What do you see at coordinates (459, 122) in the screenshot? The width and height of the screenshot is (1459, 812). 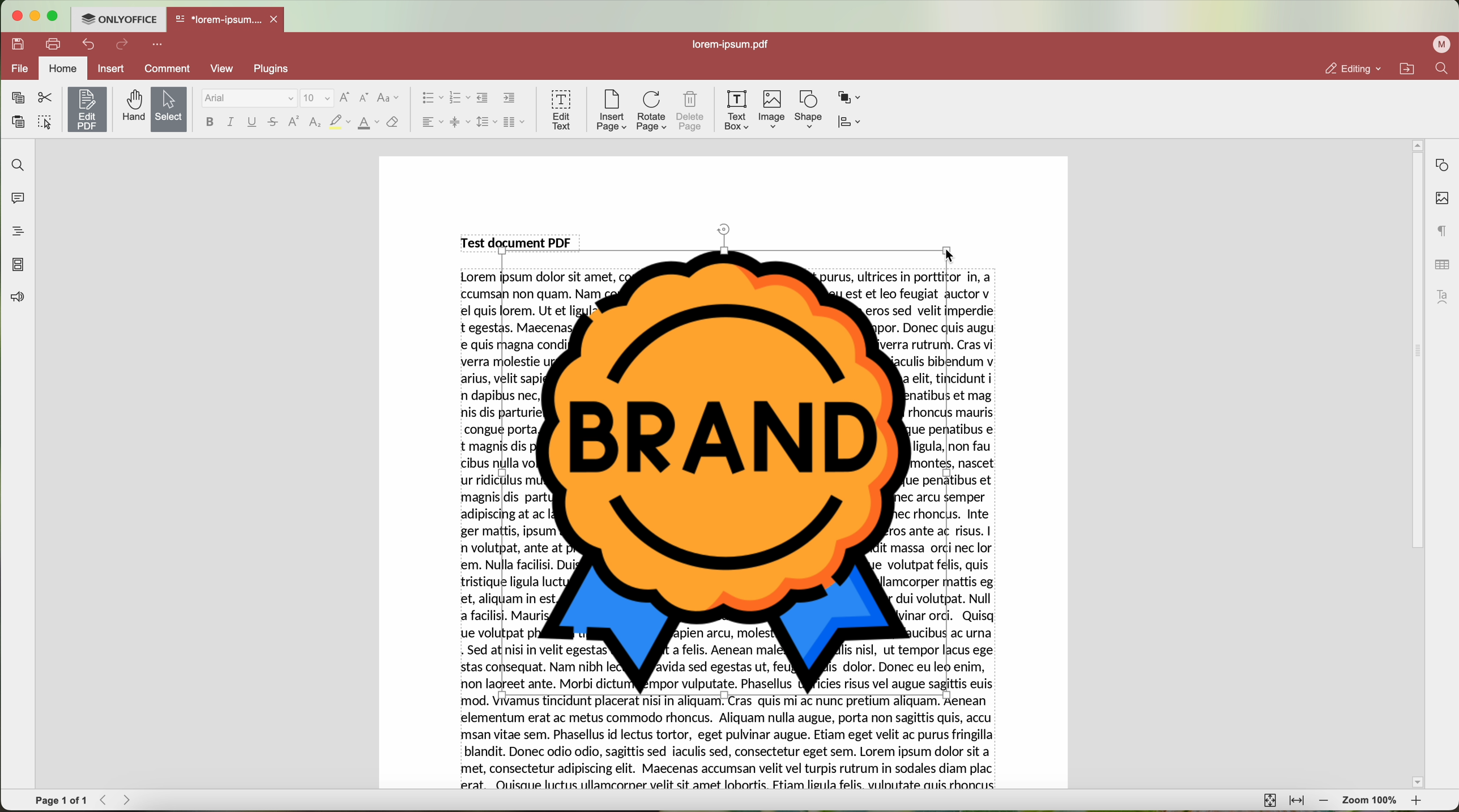 I see `vertical align` at bounding box center [459, 122].